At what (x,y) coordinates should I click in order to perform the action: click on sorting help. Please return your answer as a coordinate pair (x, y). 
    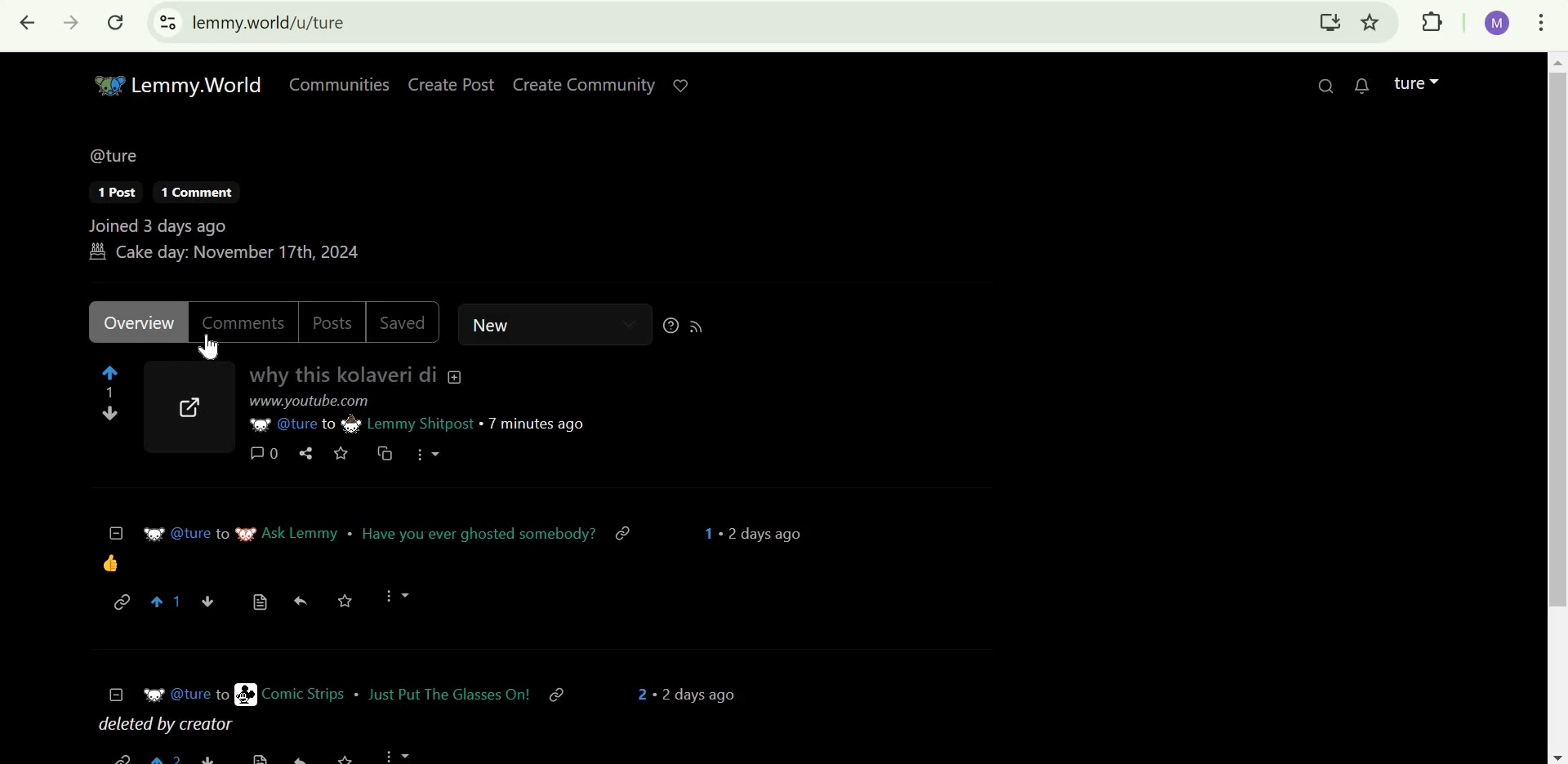
    Looking at the image, I should click on (666, 326).